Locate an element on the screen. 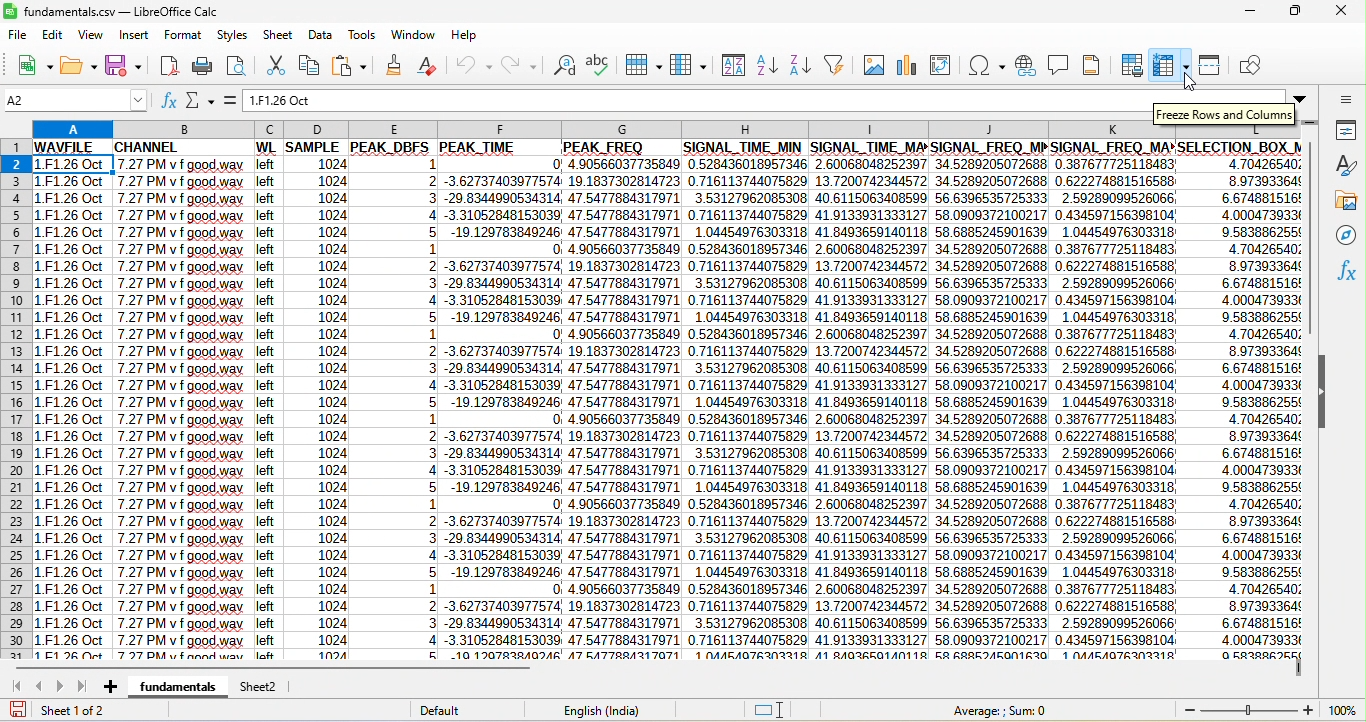  sort is located at coordinates (730, 66).